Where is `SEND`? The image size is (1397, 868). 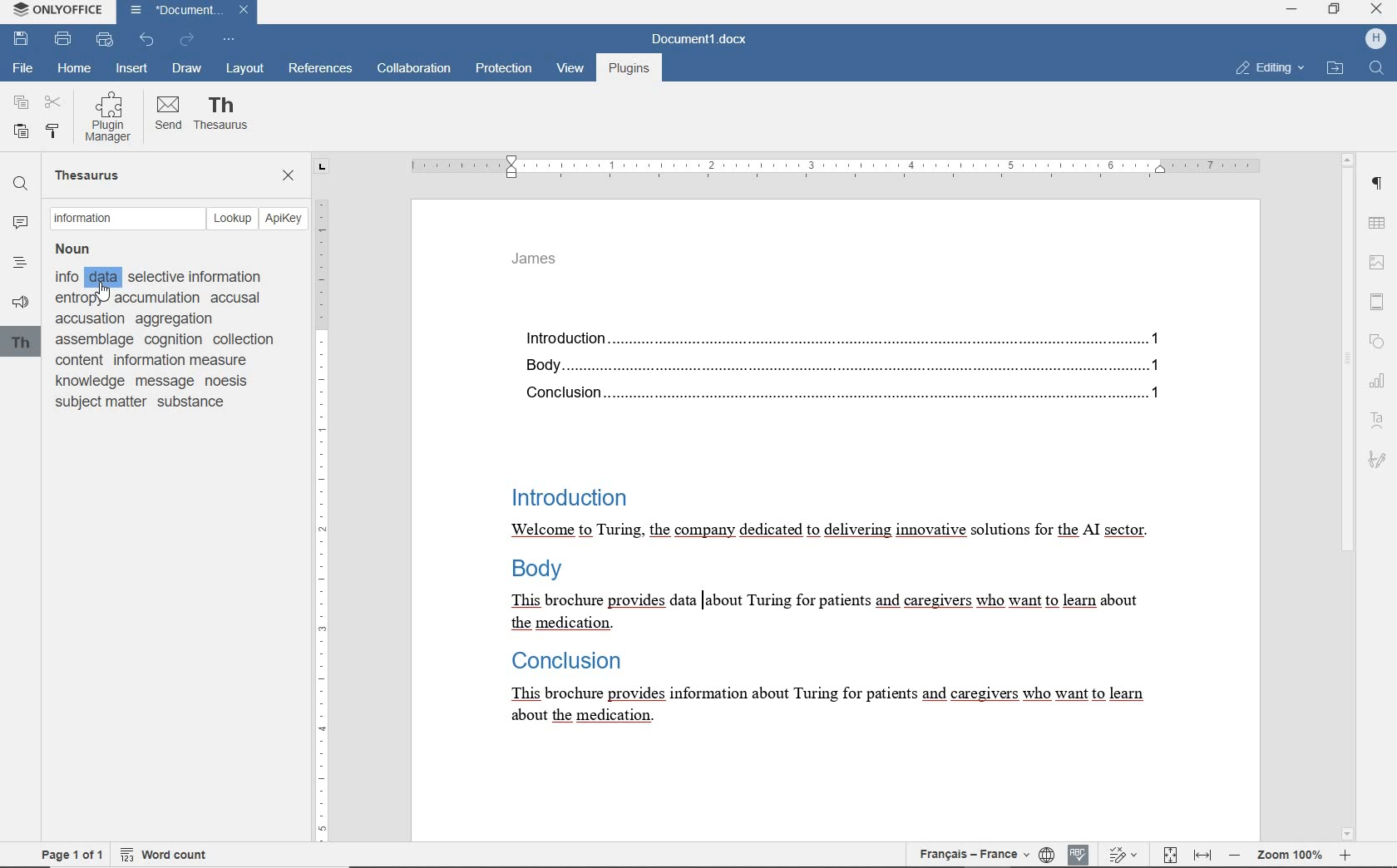 SEND is located at coordinates (168, 116).